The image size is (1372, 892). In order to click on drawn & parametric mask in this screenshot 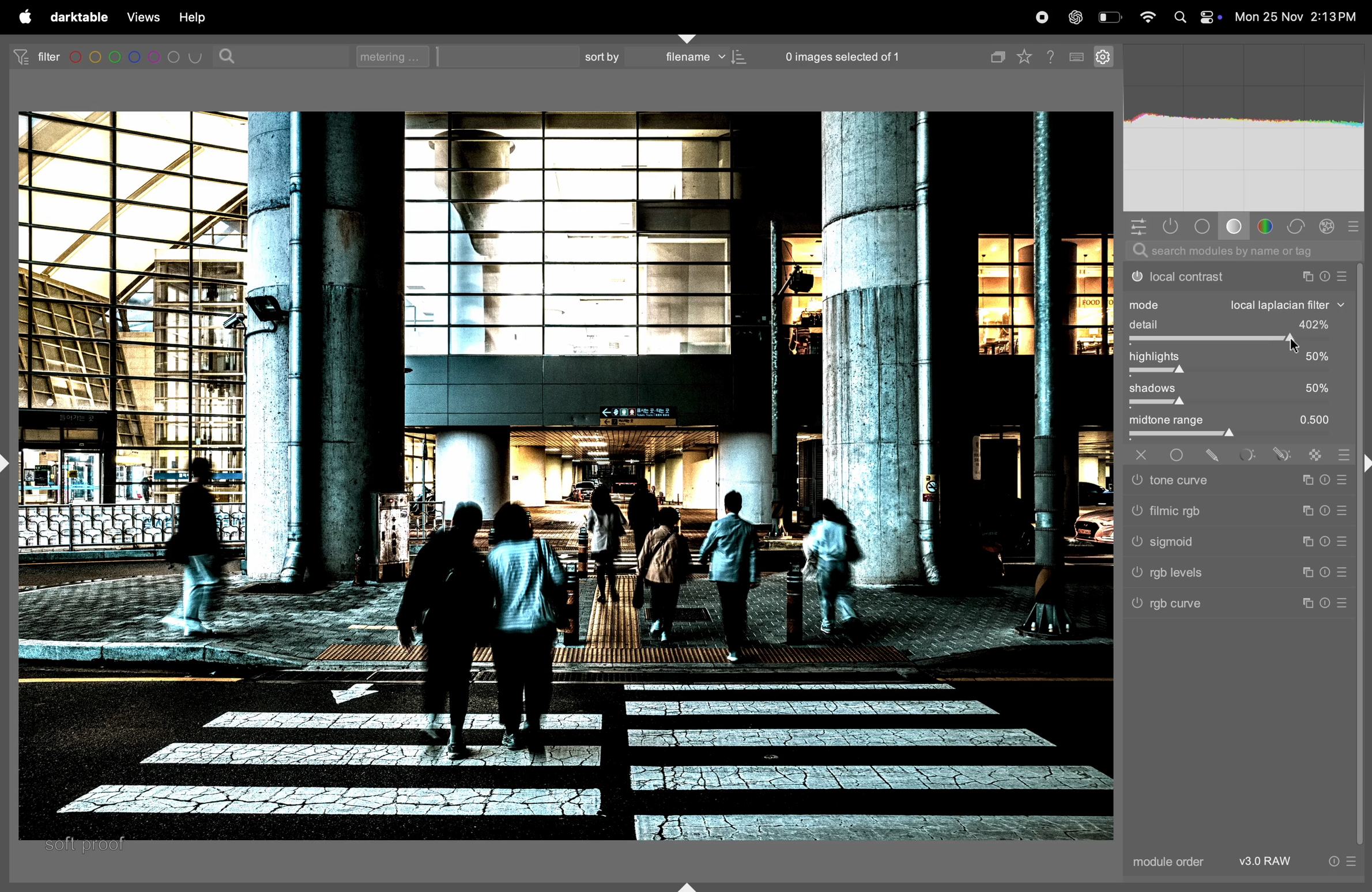, I will do `click(1281, 456)`.